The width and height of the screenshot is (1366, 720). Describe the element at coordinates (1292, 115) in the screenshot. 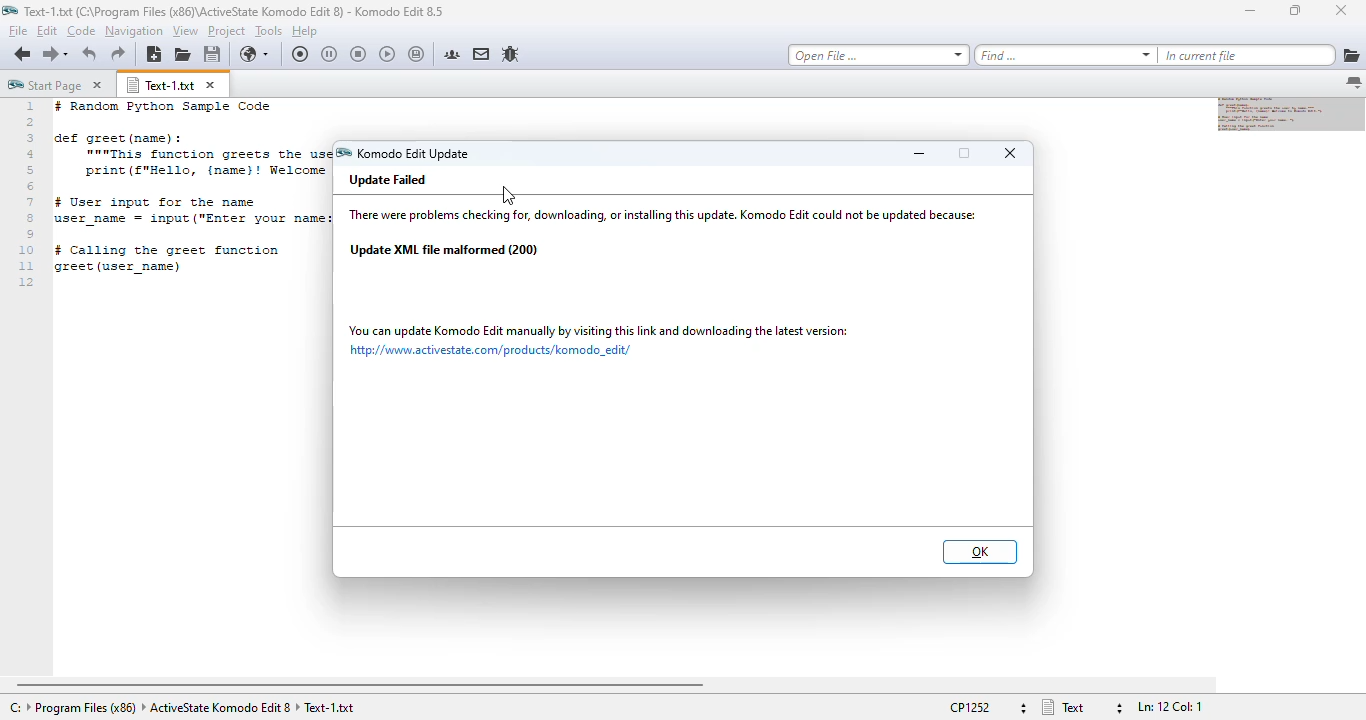

I see `minimap` at that location.